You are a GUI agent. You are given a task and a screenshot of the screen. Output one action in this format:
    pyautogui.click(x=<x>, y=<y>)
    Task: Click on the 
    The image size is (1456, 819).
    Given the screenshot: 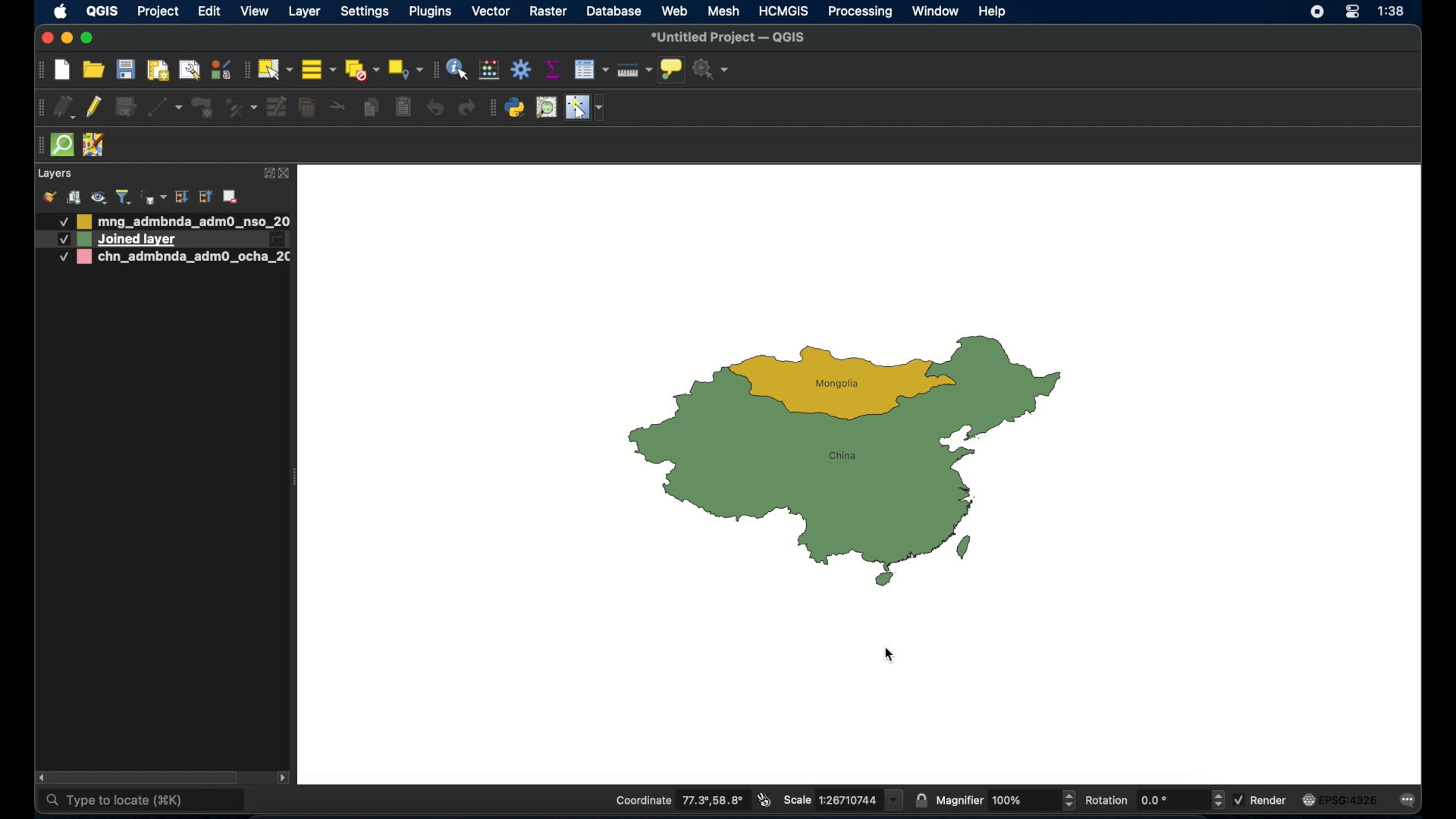 What is the action you would take?
    pyautogui.click(x=56, y=222)
    